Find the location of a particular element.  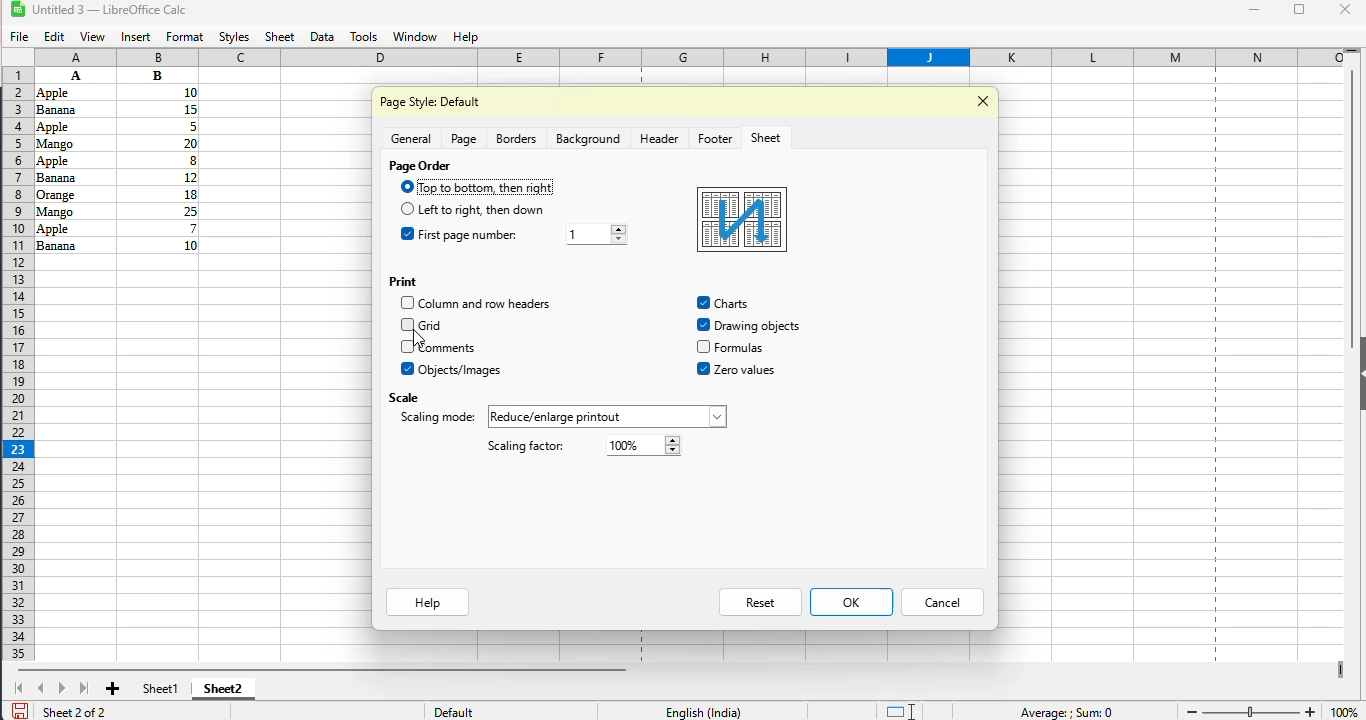

sheet1 is located at coordinates (161, 688).